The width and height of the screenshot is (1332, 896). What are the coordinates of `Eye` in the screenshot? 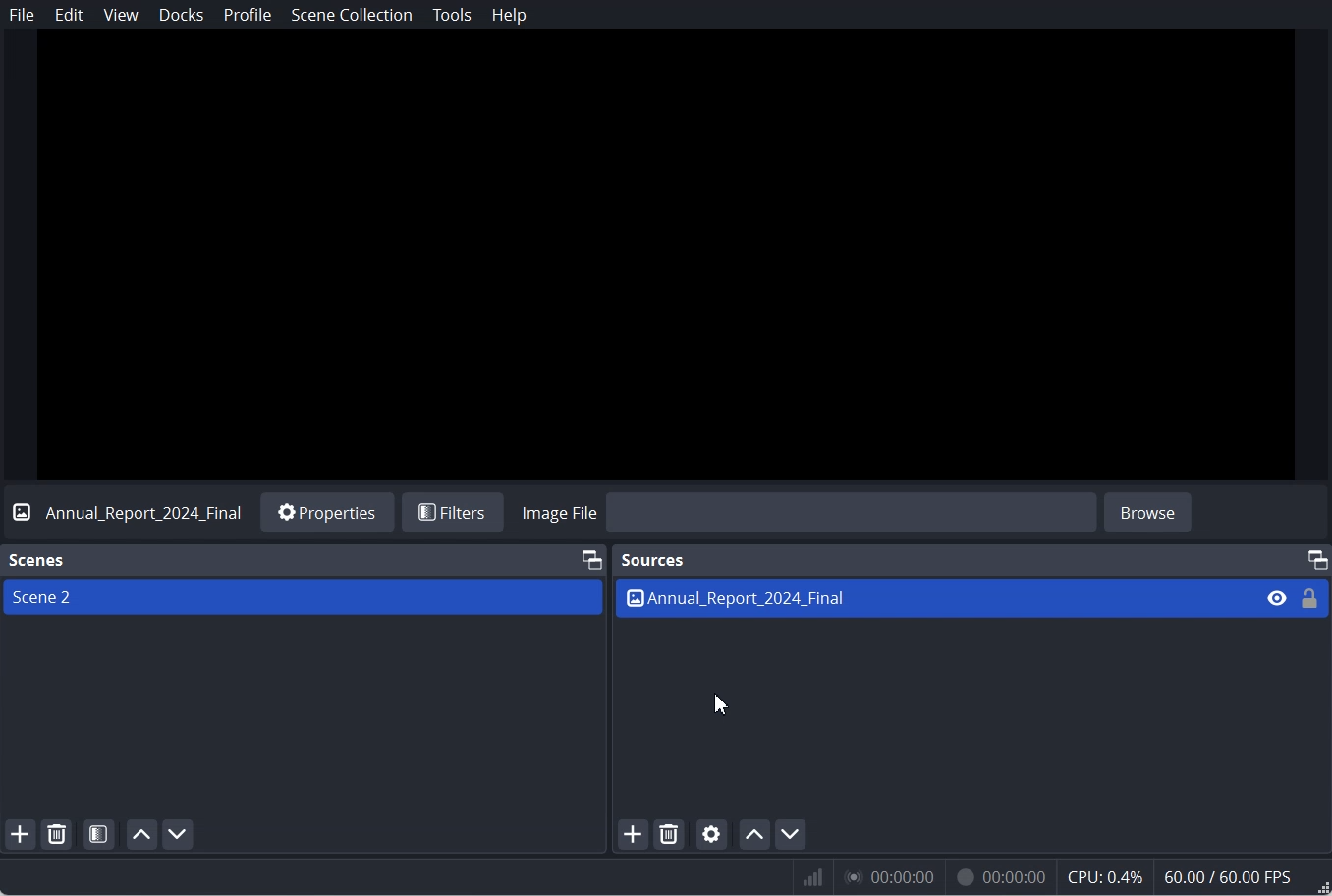 It's located at (1277, 597).